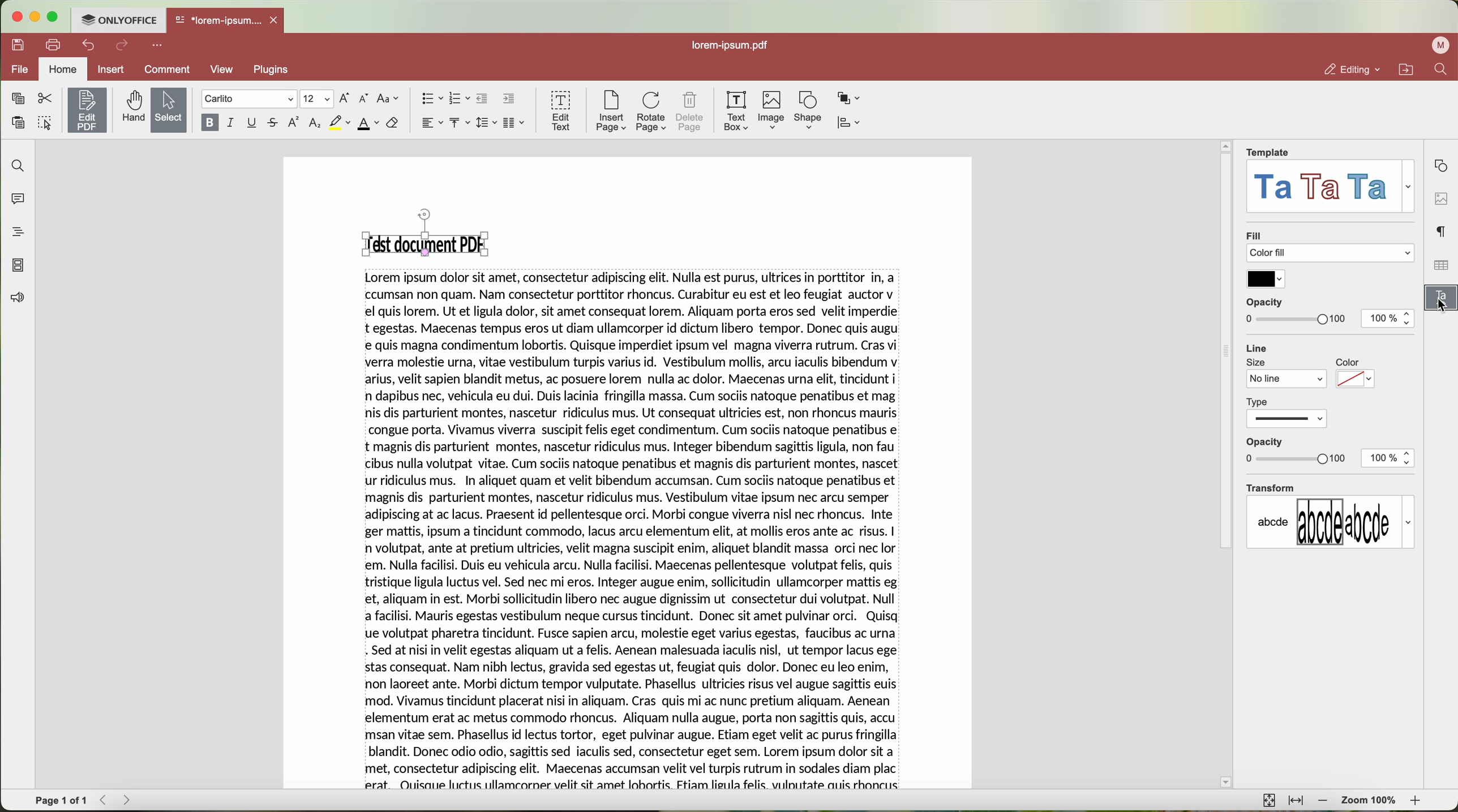 This screenshot has height=812, width=1458. What do you see at coordinates (1443, 166) in the screenshot?
I see `shape settings` at bounding box center [1443, 166].